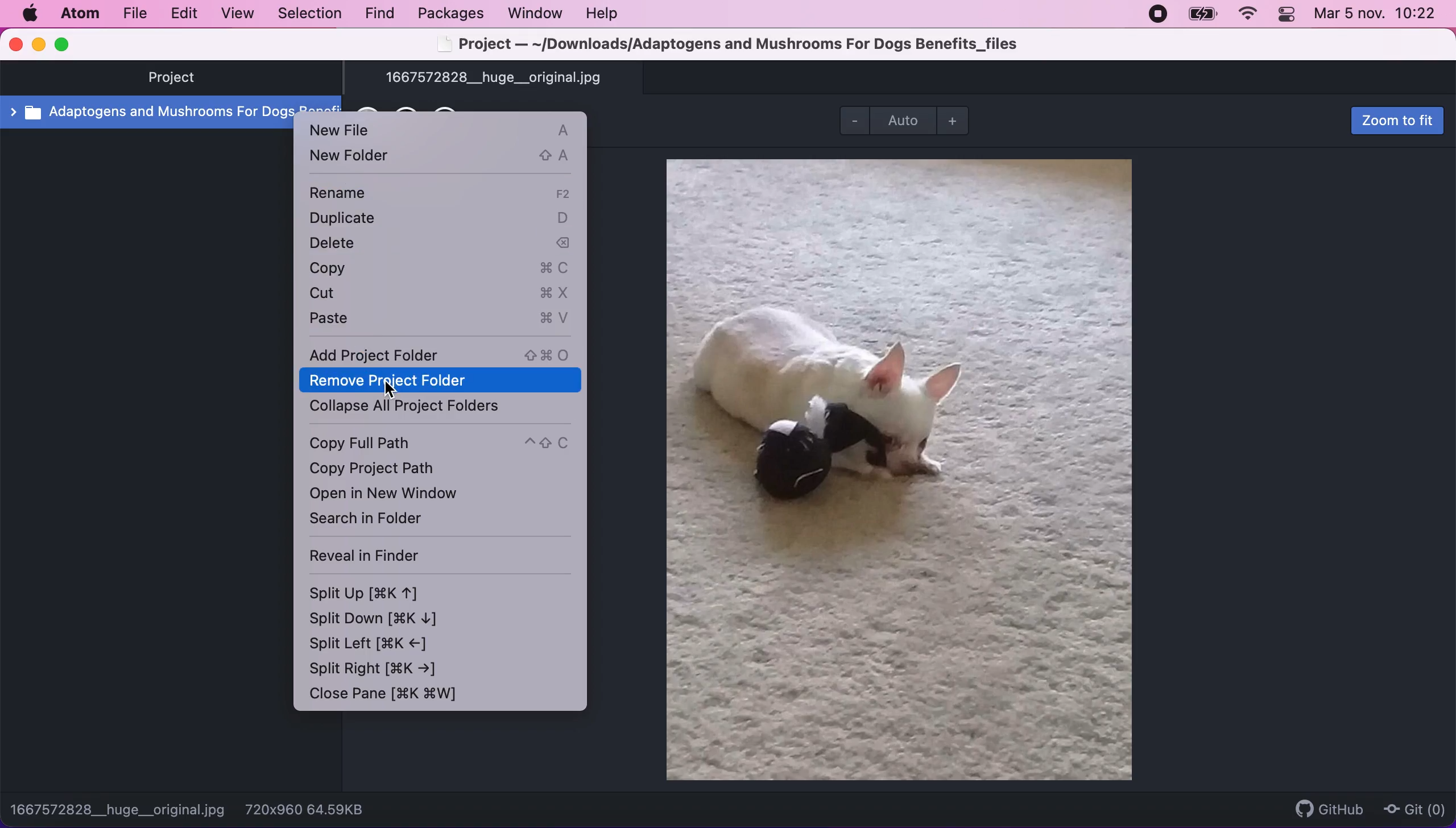 This screenshot has width=1456, height=828. I want to click on duplicate, so click(444, 218).